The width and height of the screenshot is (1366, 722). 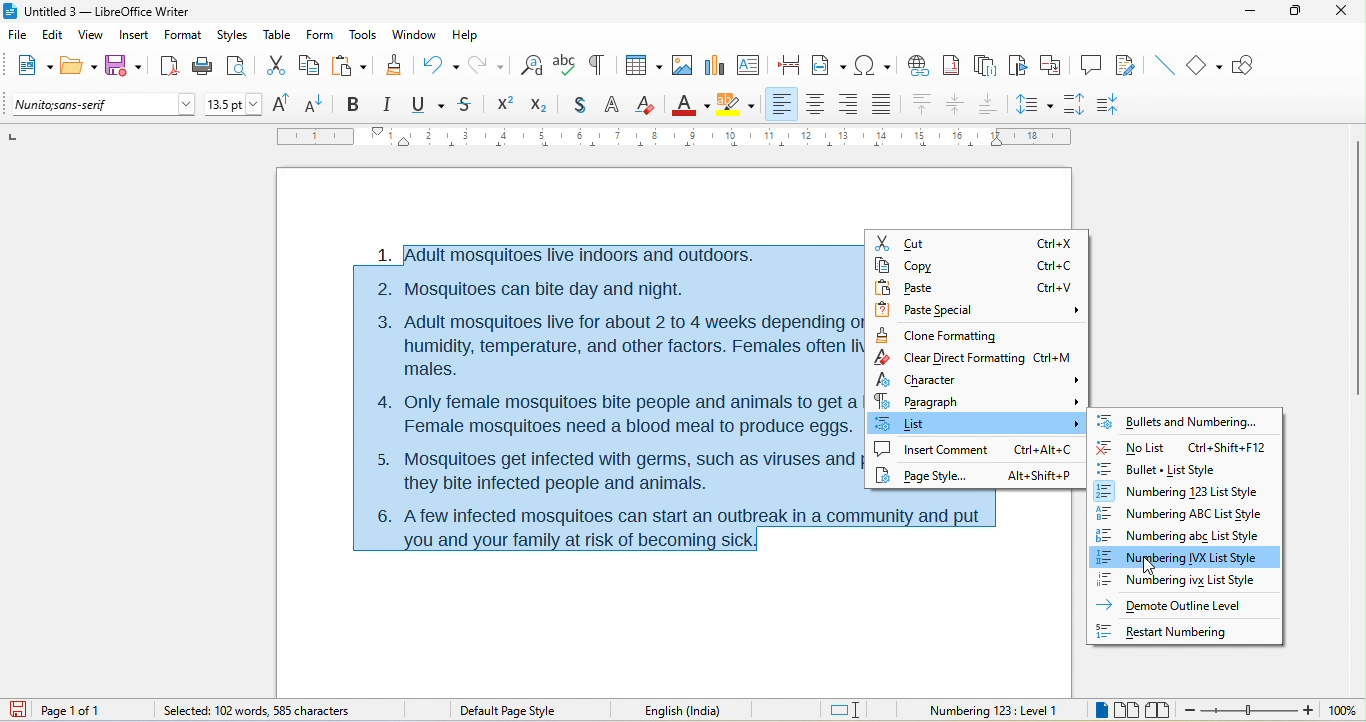 What do you see at coordinates (278, 36) in the screenshot?
I see `table` at bounding box center [278, 36].